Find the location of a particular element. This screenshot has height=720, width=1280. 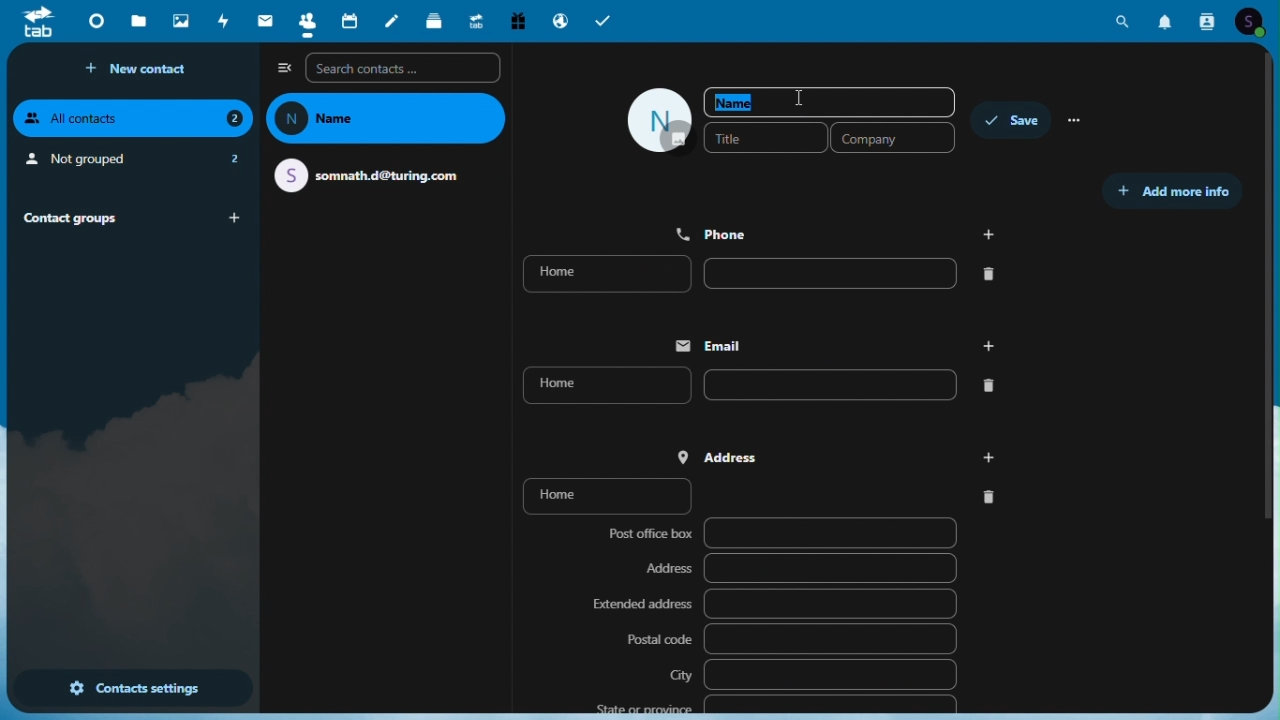

Not grouped is located at coordinates (131, 161).